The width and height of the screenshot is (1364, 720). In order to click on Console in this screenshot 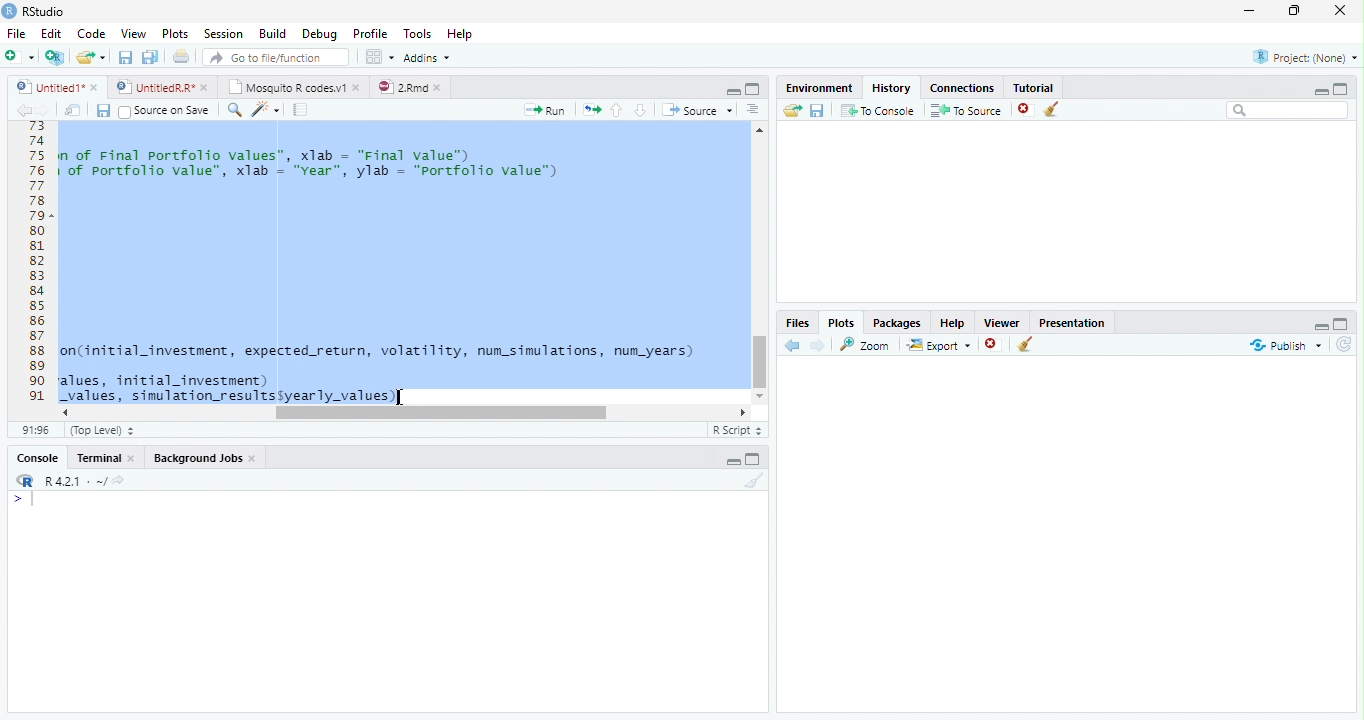, I will do `click(387, 601)`.